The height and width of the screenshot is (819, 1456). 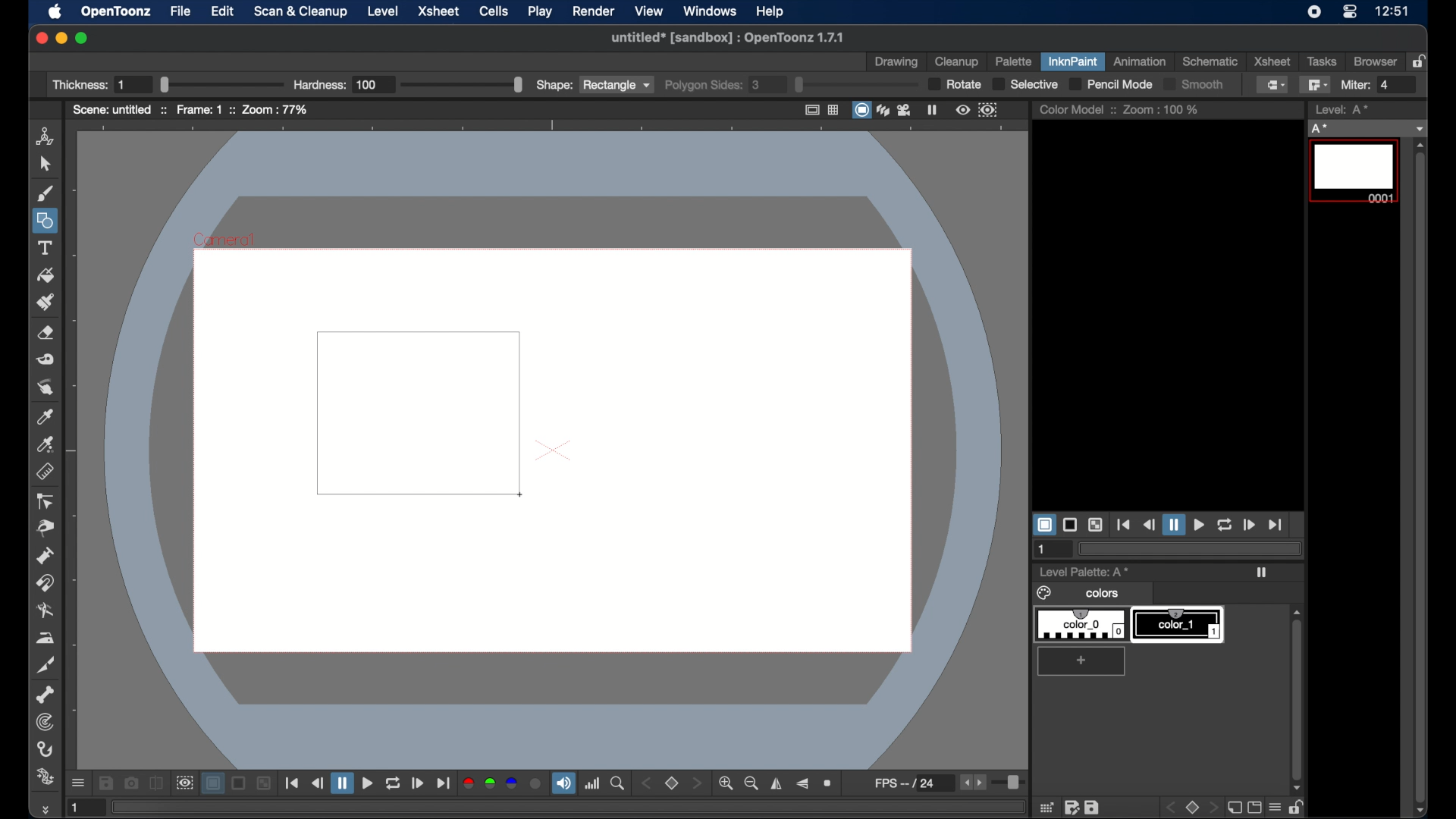 What do you see at coordinates (1109, 85) in the screenshot?
I see `pencil mode` at bounding box center [1109, 85].